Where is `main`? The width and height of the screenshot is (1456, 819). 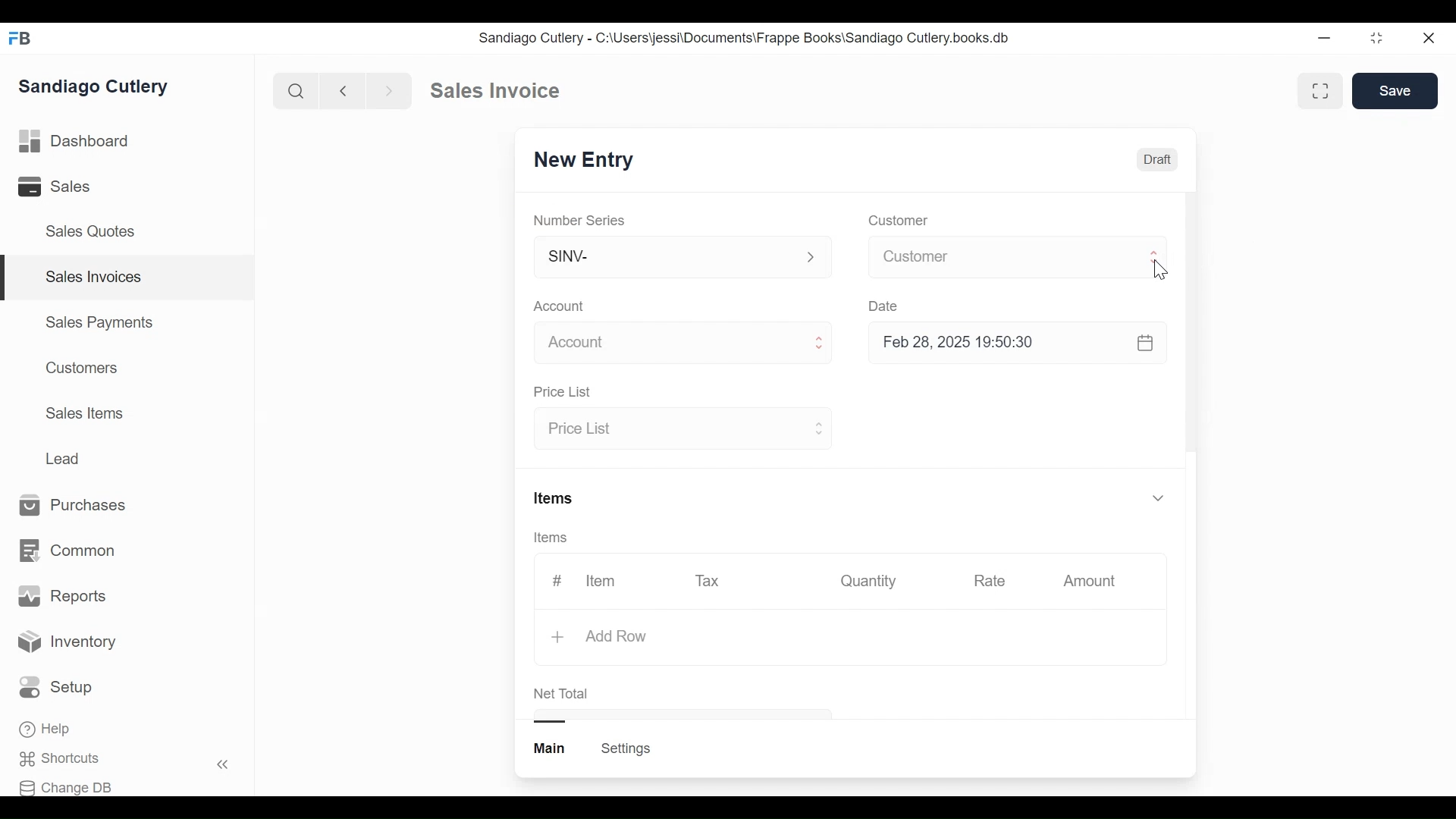
main is located at coordinates (551, 748).